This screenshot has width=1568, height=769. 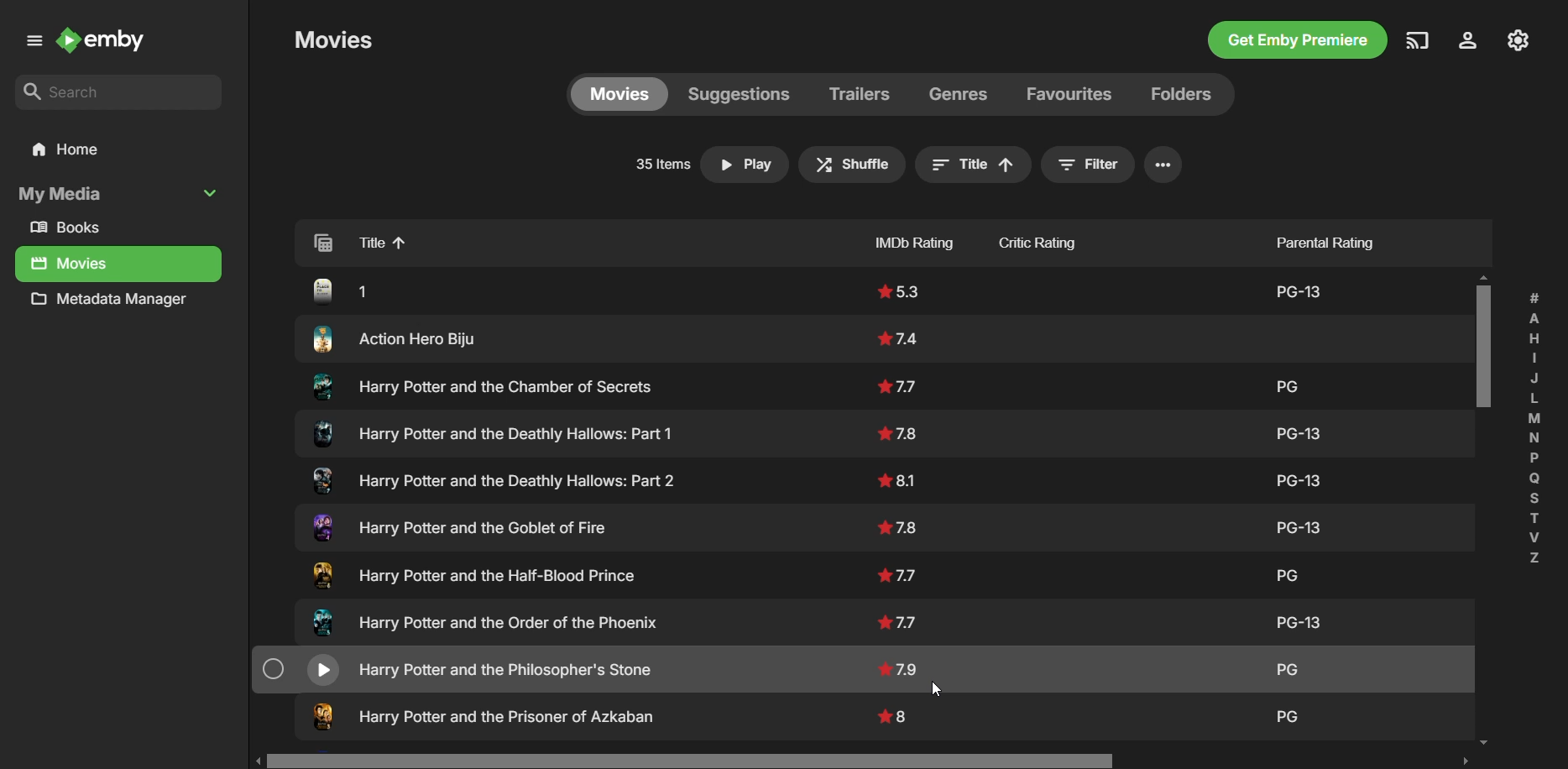 I want to click on Metadata Manager, so click(x=114, y=303).